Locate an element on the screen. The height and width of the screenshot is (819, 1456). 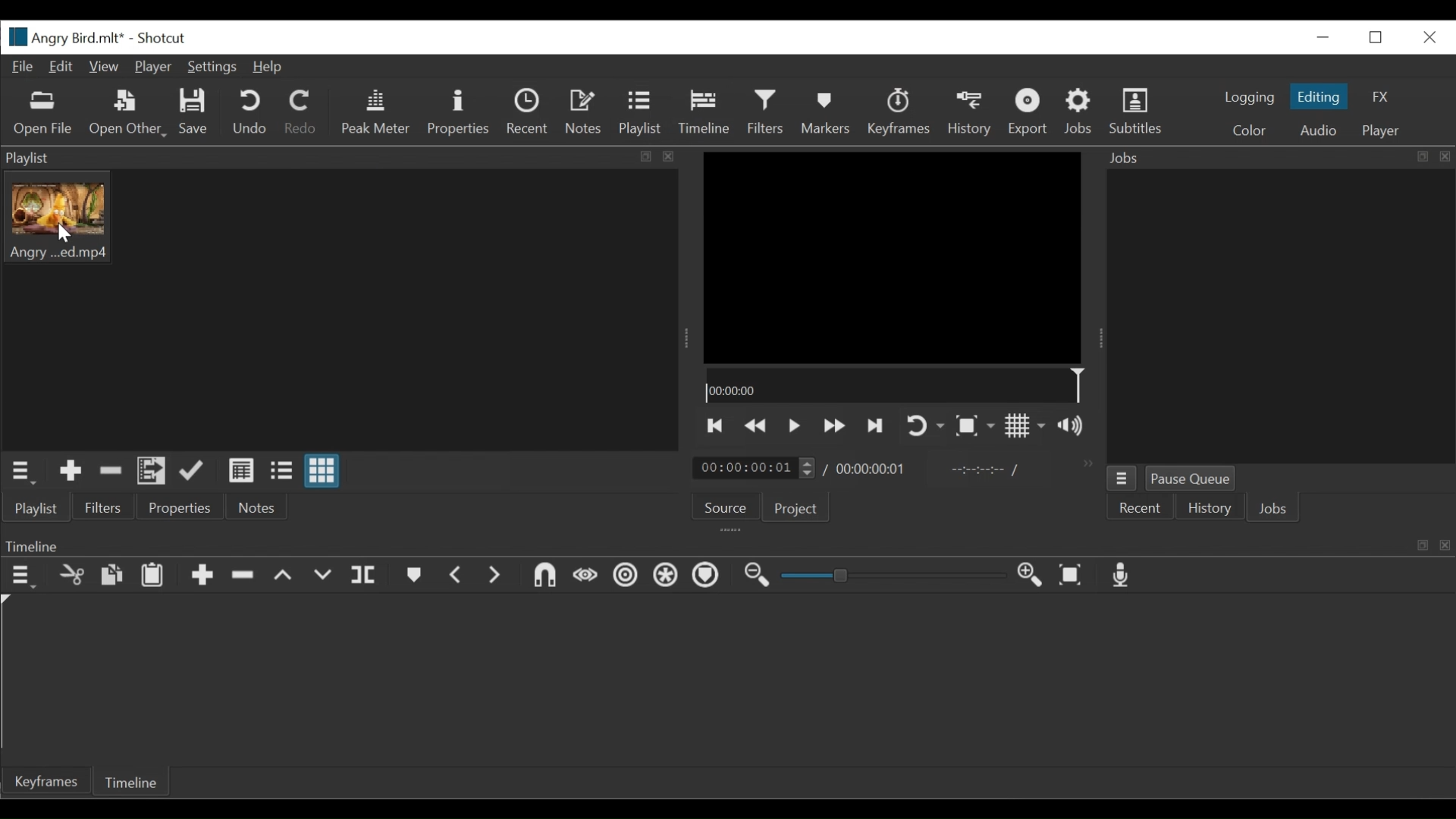
Play quickly backward is located at coordinates (758, 426).